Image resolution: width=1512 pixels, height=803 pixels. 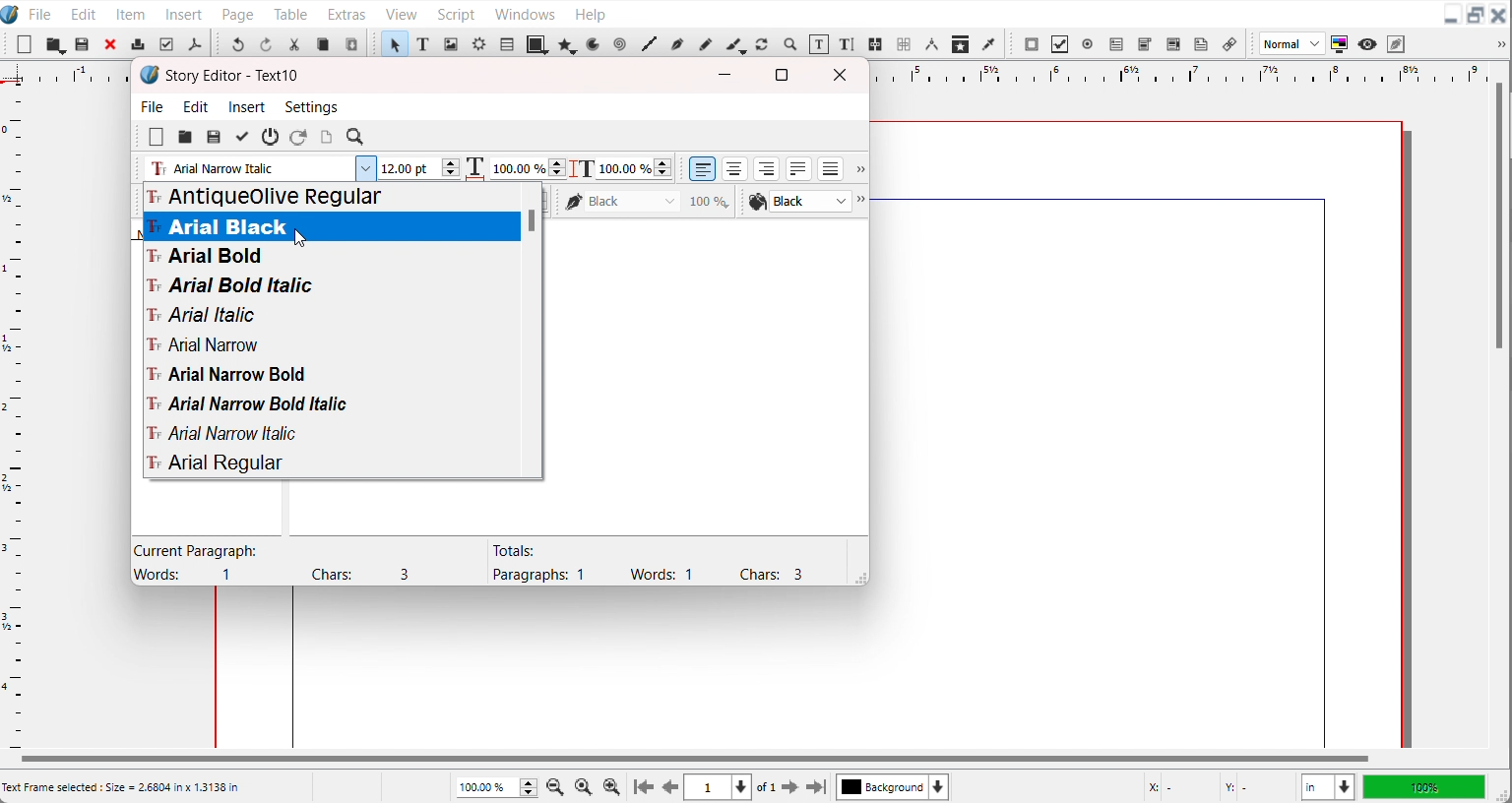 I want to click on Horizontal Scroll bar, so click(x=692, y=759).